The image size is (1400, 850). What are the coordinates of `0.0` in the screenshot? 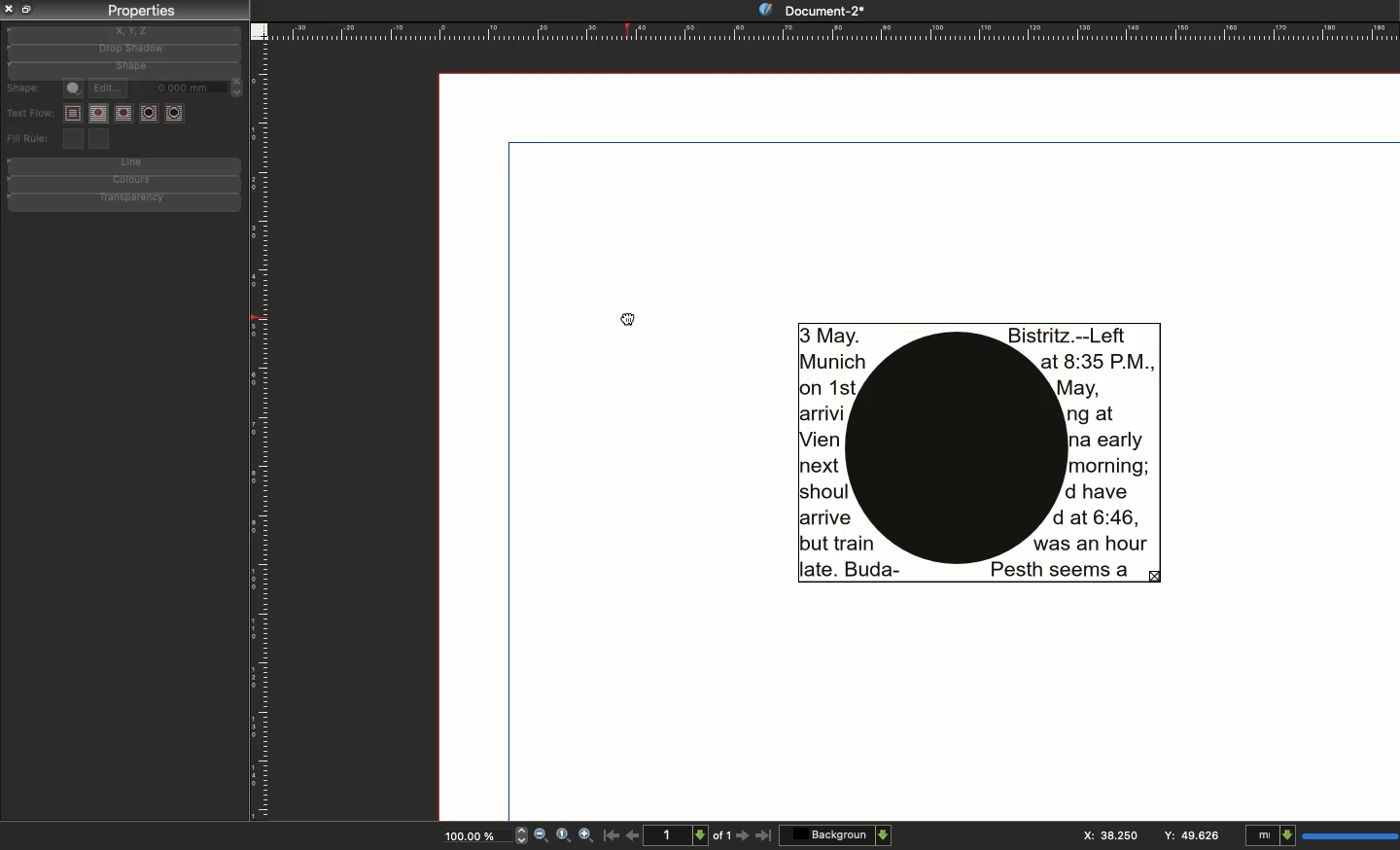 It's located at (196, 85).